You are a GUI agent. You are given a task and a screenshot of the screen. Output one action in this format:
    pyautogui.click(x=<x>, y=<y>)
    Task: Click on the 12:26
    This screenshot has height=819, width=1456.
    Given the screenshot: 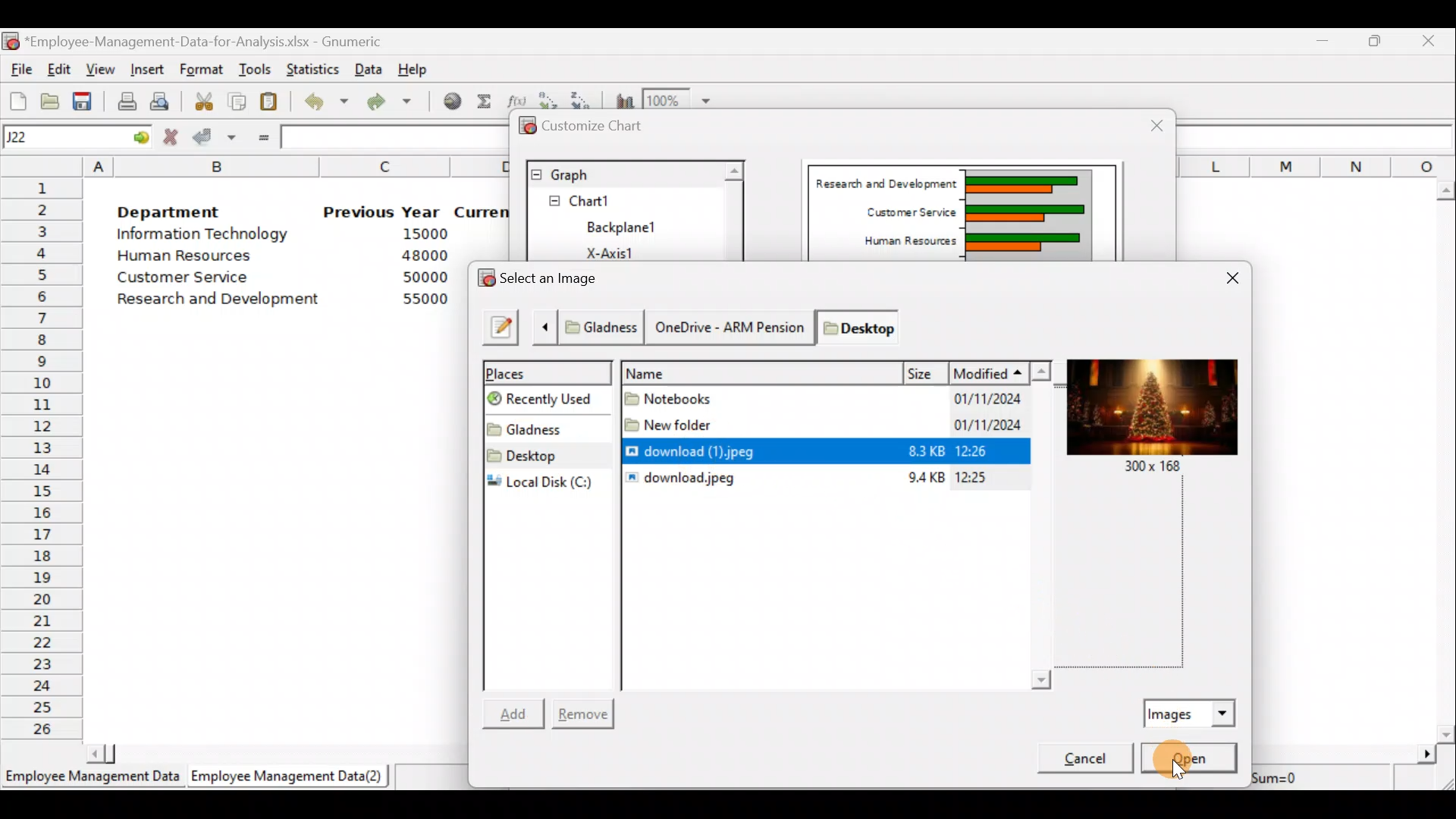 What is the action you would take?
    pyautogui.click(x=979, y=453)
    